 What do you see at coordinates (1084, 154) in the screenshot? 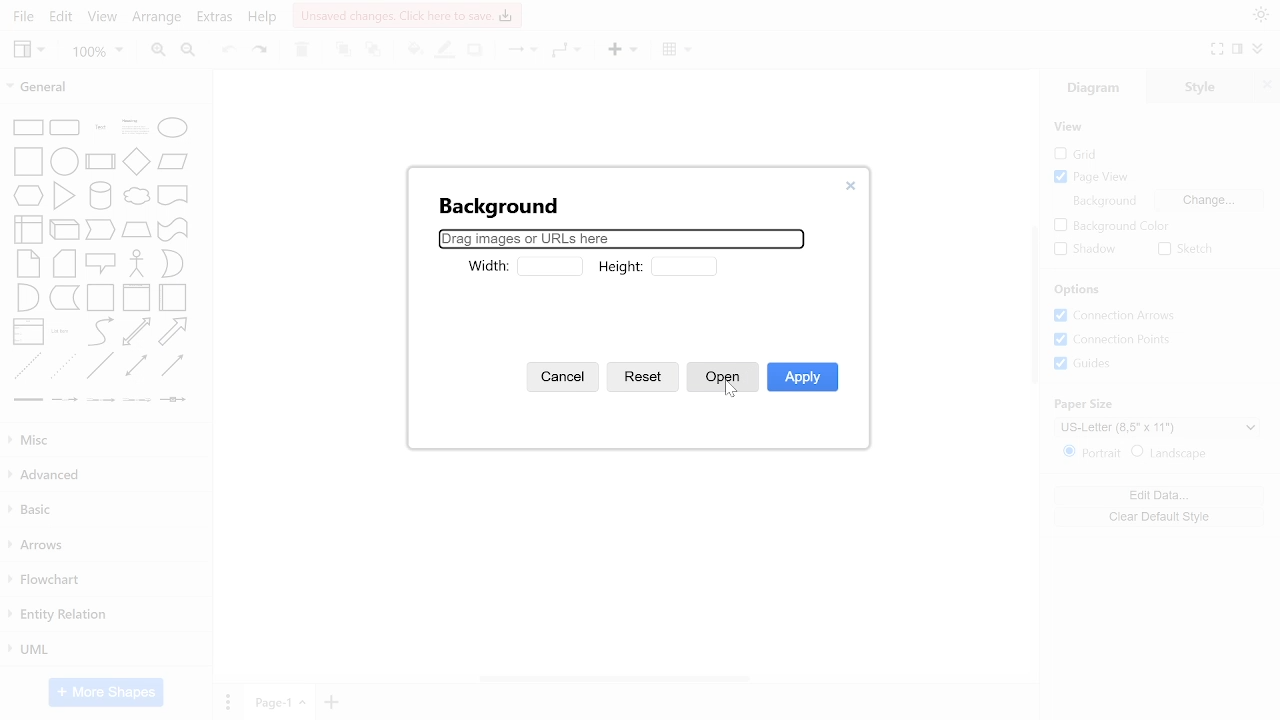
I see `grid` at bounding box center [1084, 154].